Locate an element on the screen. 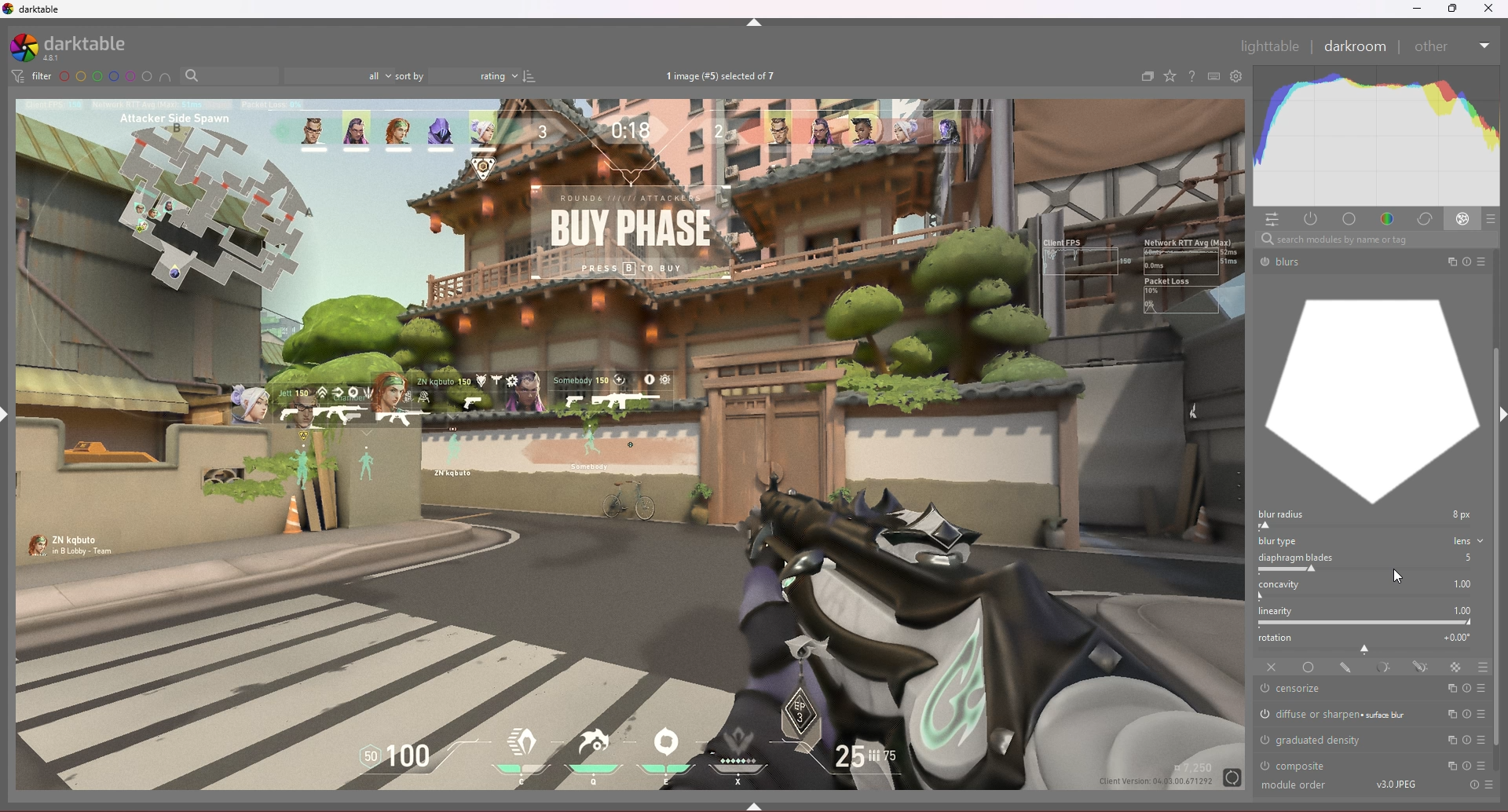 This screenshot has width=1508, height=812. filter by images rating is located at coordinates (339, 75).